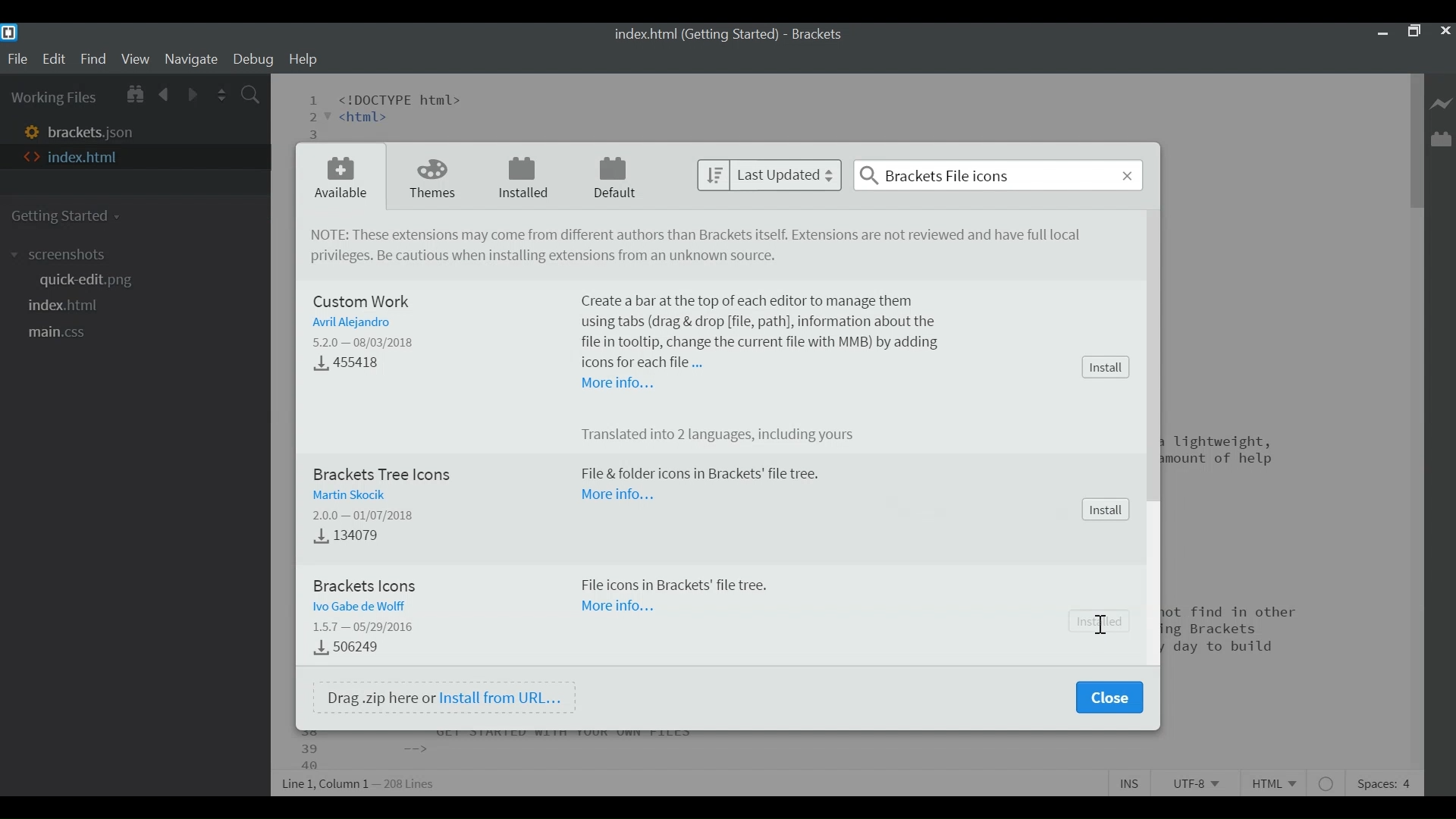 The image size is (1456, 819). What do you see at coordinates (30, 157) in the screenshot?
I see `html file icon` at bounding box center [30, 157].